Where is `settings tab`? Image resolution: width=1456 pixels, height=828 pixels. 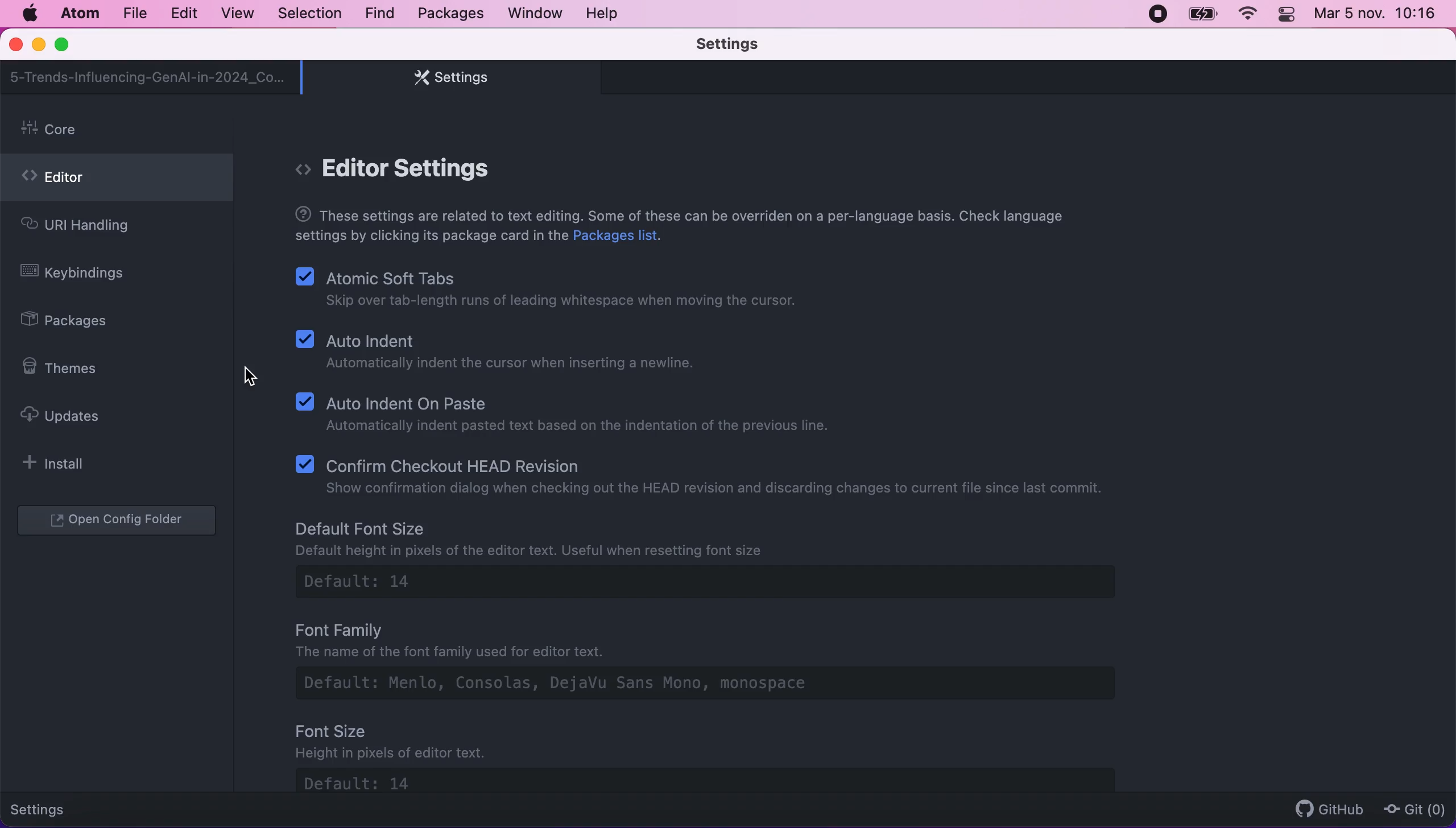
settings tab is located at coordinates (445, 77).